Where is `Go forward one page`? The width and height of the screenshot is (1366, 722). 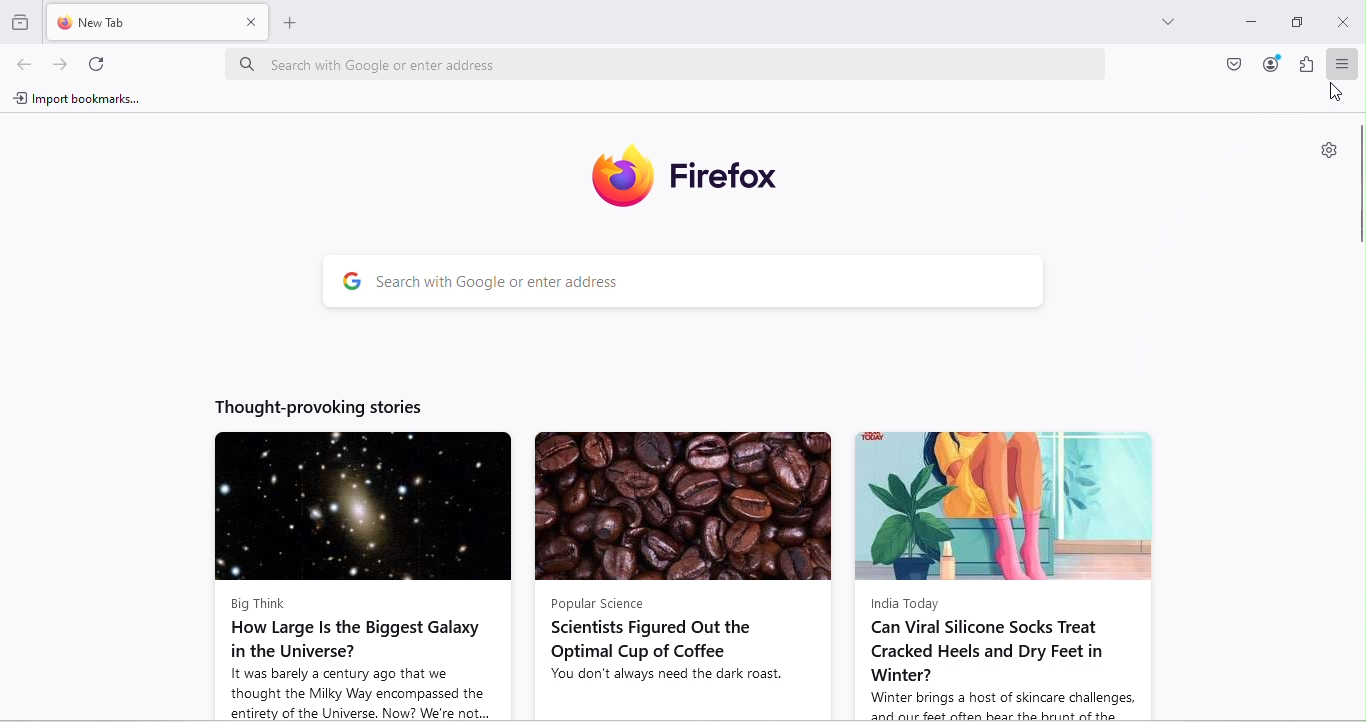 Go forward one page is located at coordinates (59, 65).